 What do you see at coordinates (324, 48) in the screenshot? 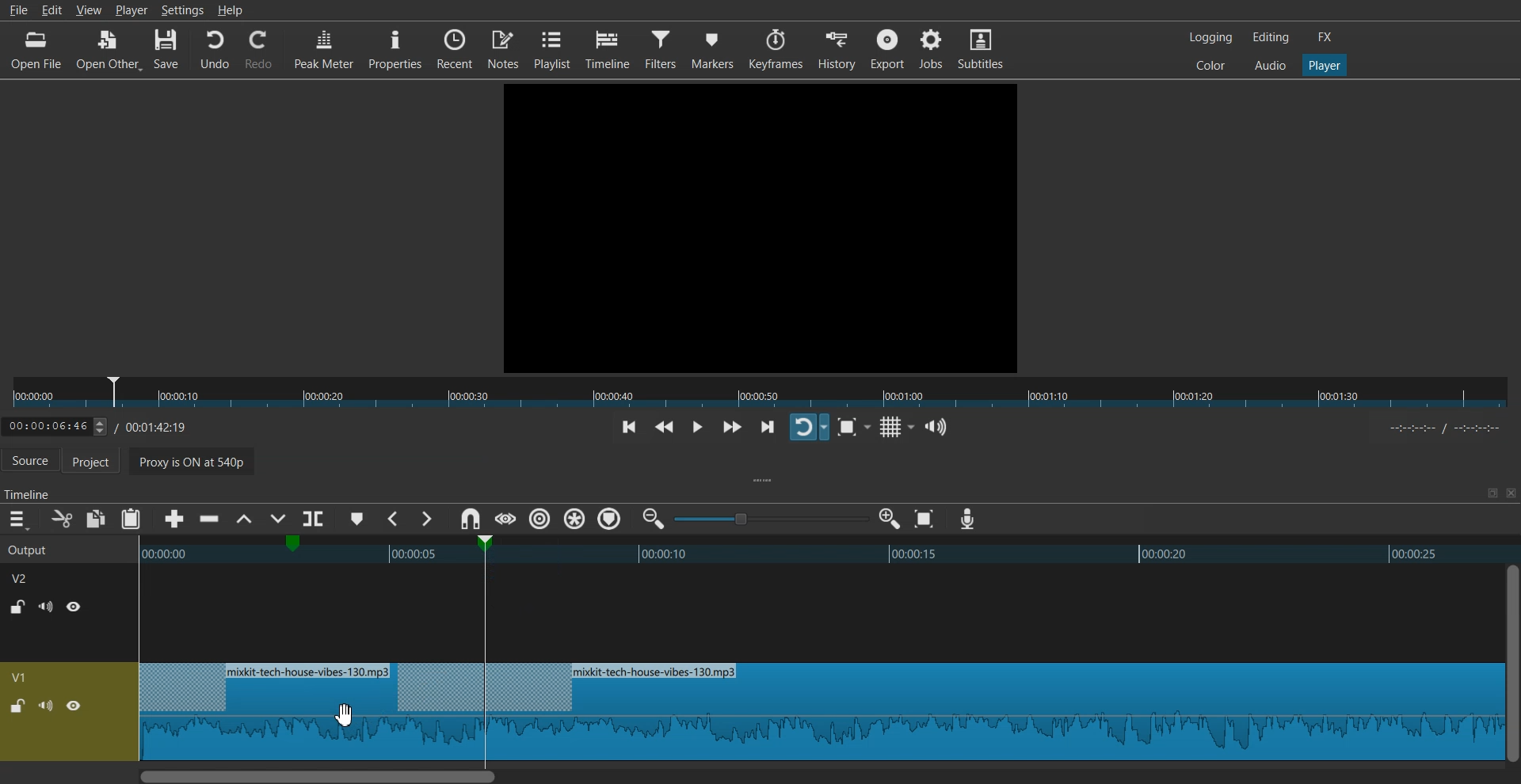
I see `Peak Meter` at bounding box center [324, 48].